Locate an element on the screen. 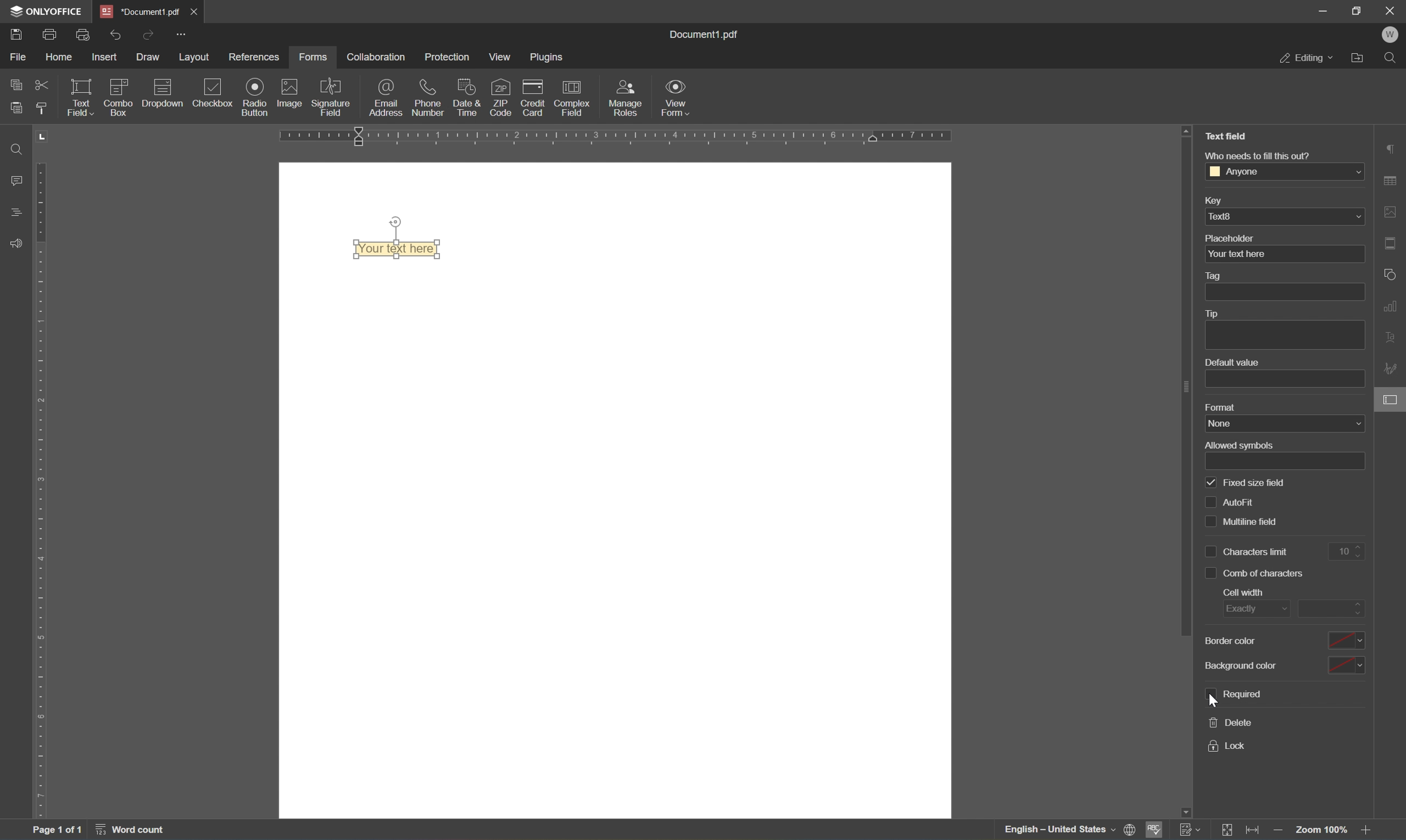 Image resolution: width=1406 pixels, height=840 pixels. border color is located at coordinates (1284, 640).